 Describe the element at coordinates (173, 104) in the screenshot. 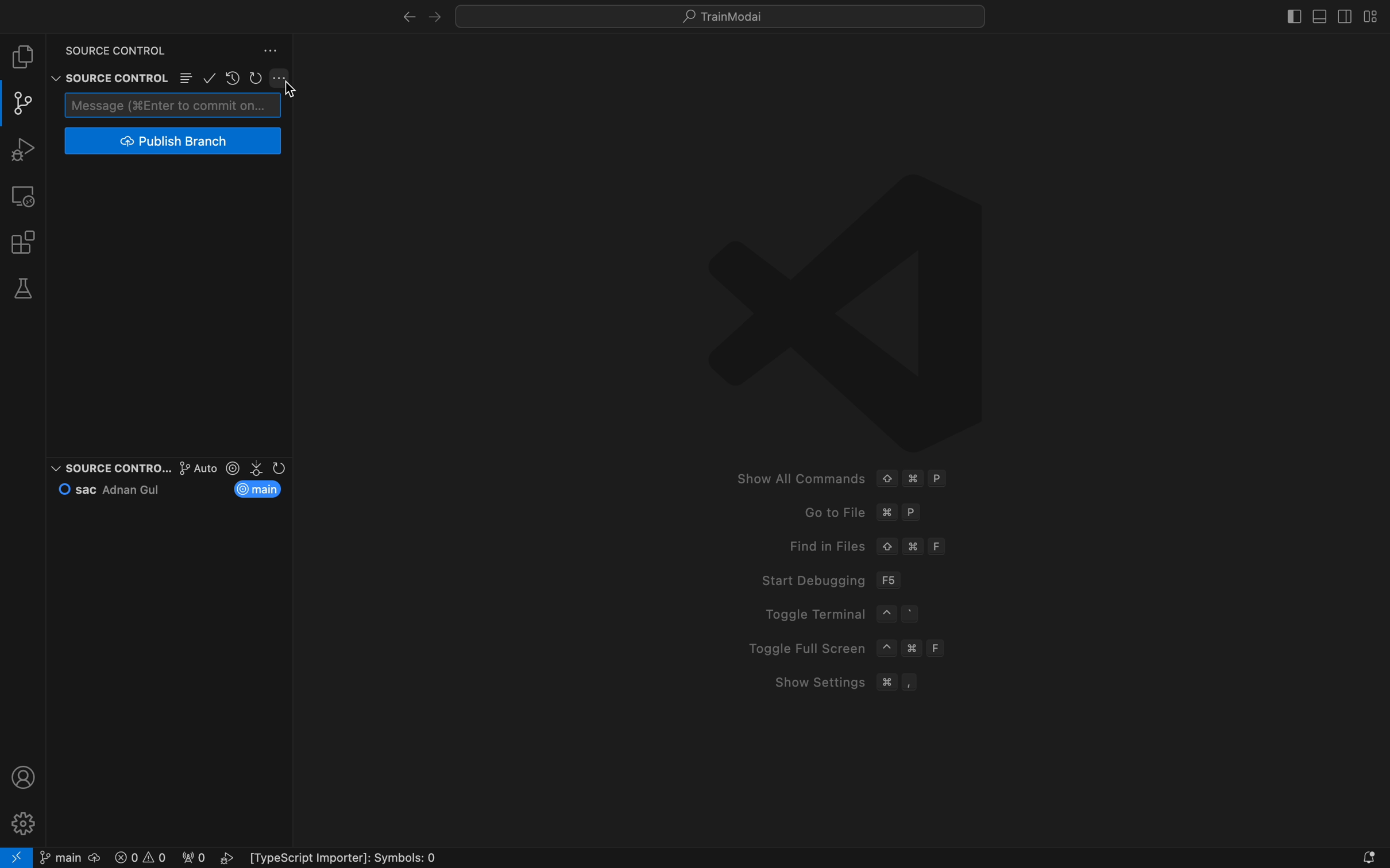

I see `commit message` at that location.